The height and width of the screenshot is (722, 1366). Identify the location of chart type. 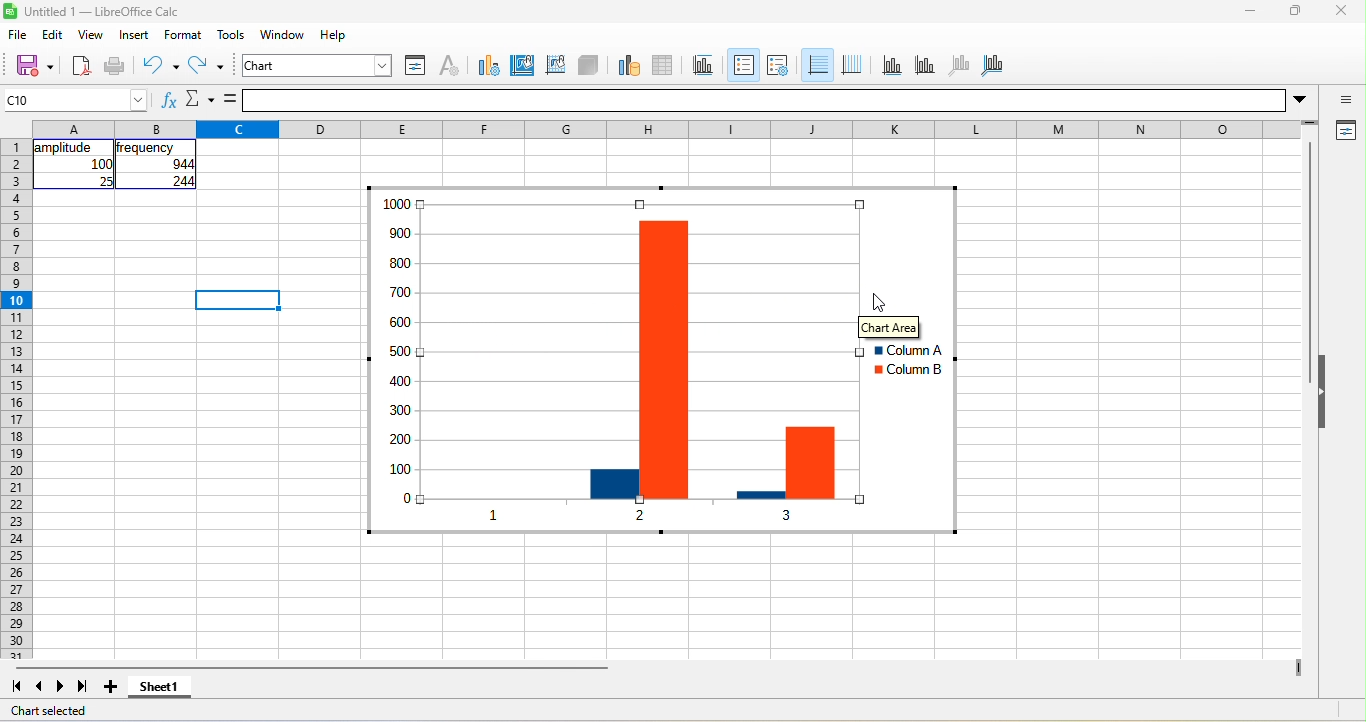
(485, 64).